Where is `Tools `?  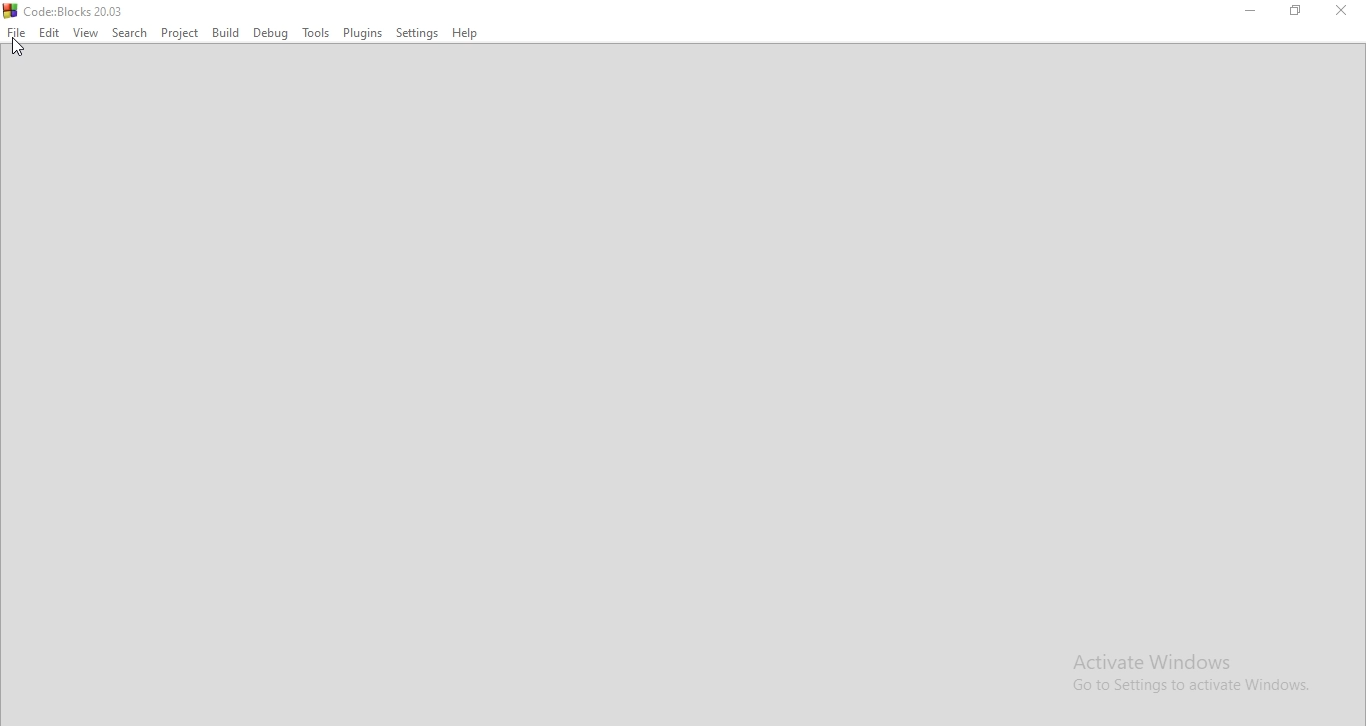
Tools  is located at coordinates (313, 33).